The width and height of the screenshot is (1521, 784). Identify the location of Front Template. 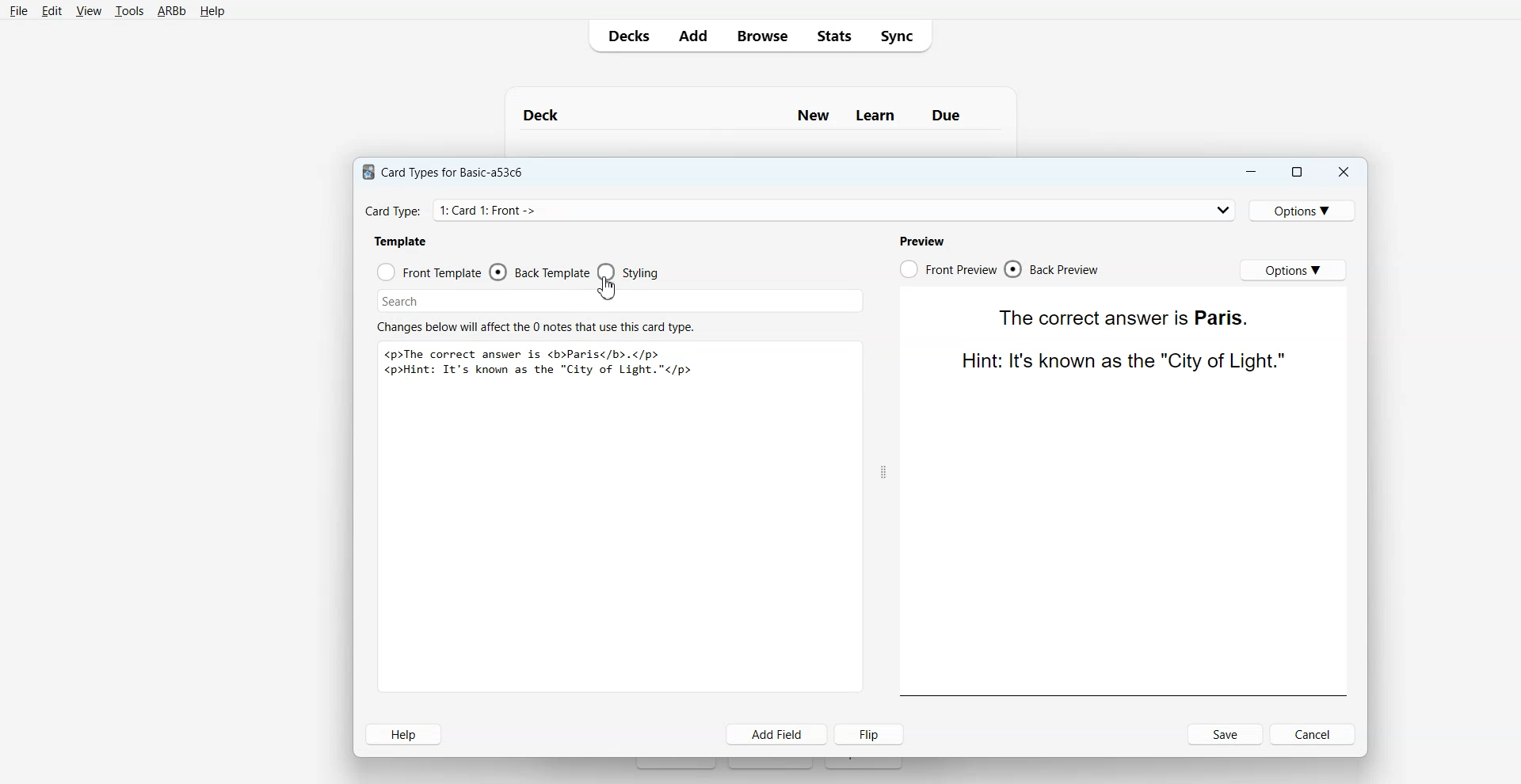
(429, 272).